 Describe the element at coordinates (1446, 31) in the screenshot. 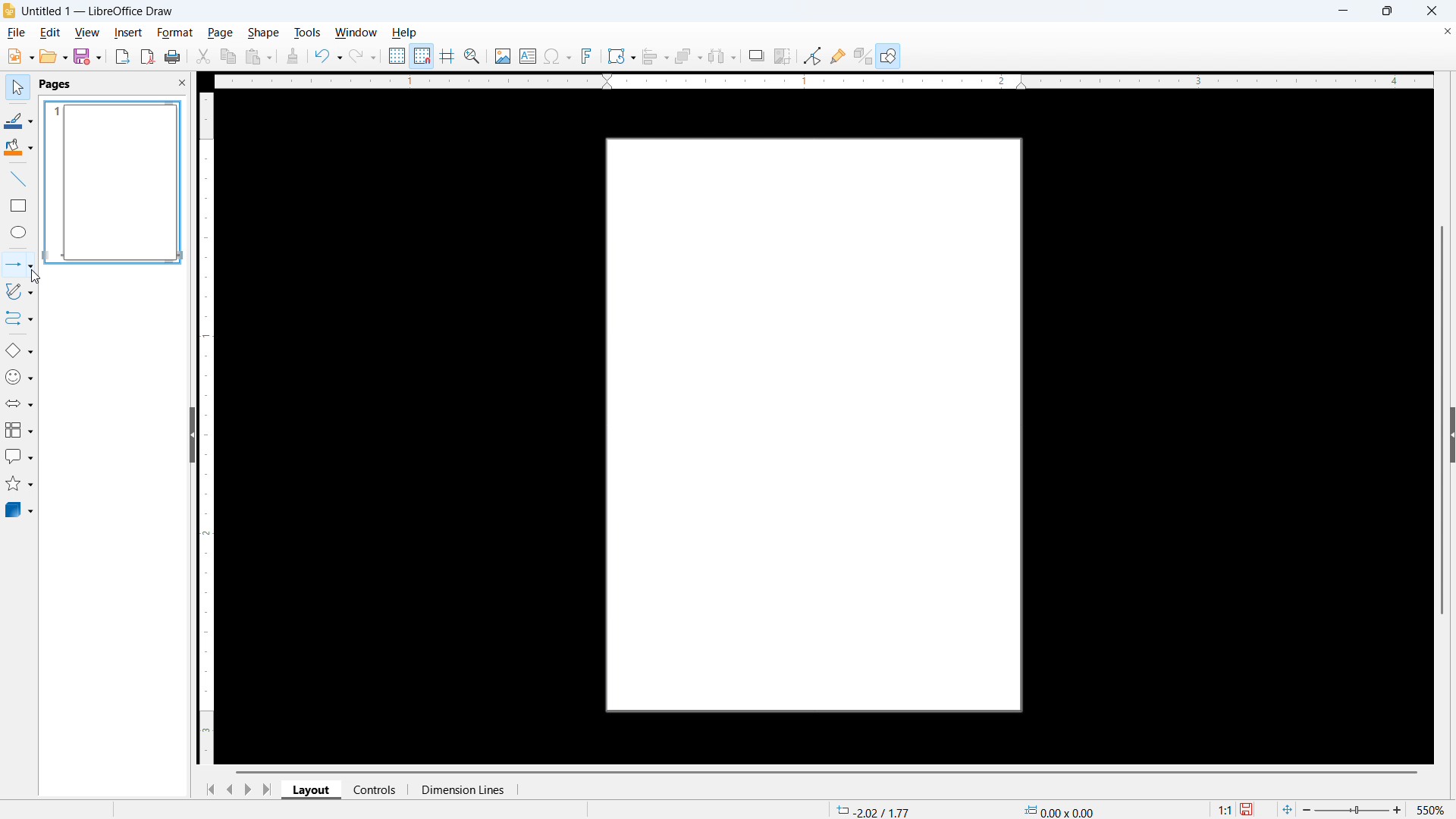

I see `Close document ` at that location.